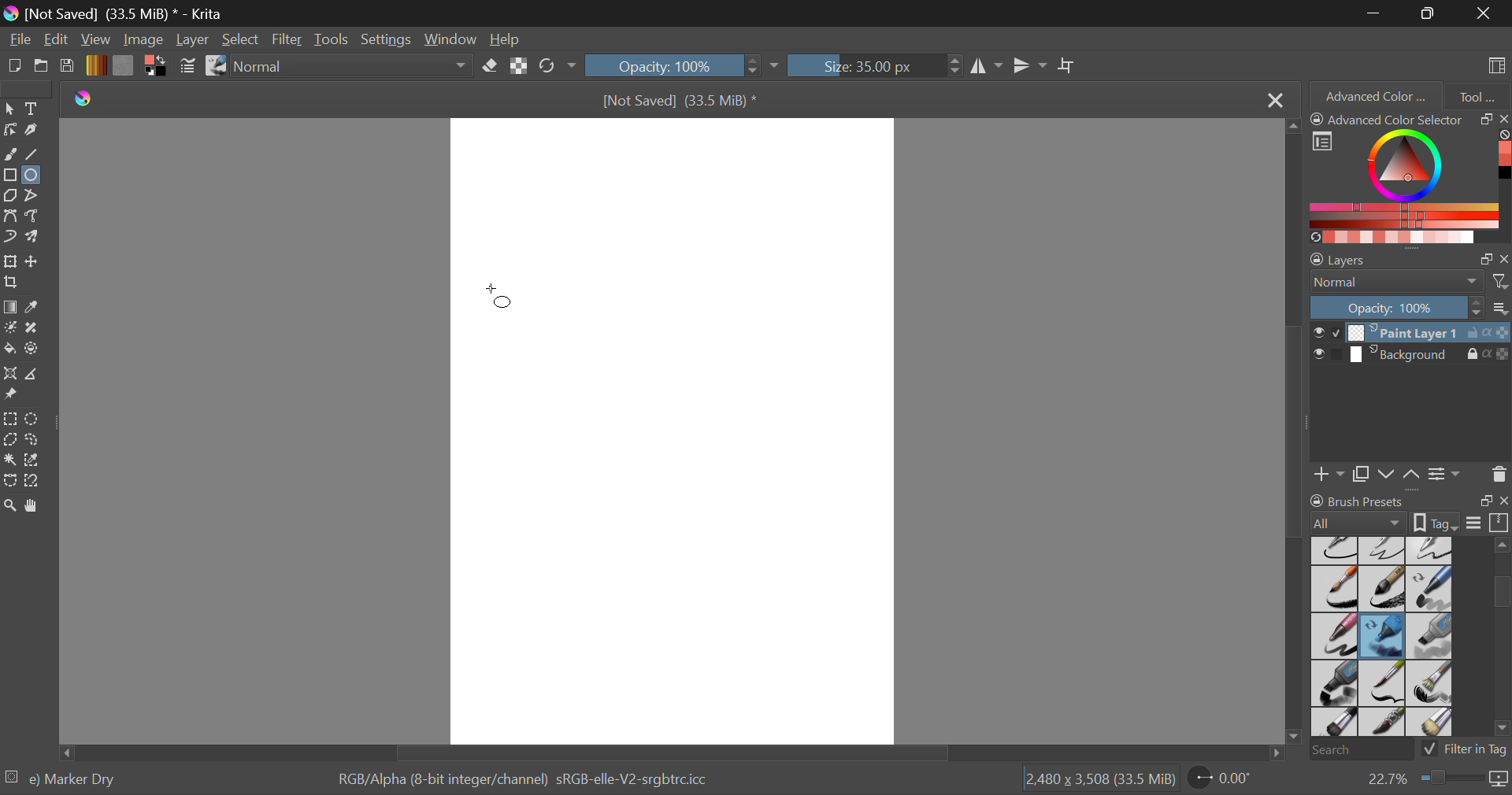 This screenshot has height=795, width=1512. Describe the element at coordinates (505, 301) in the screenshot. I see `MOUSE_DOWN Cursor Position` at that location.